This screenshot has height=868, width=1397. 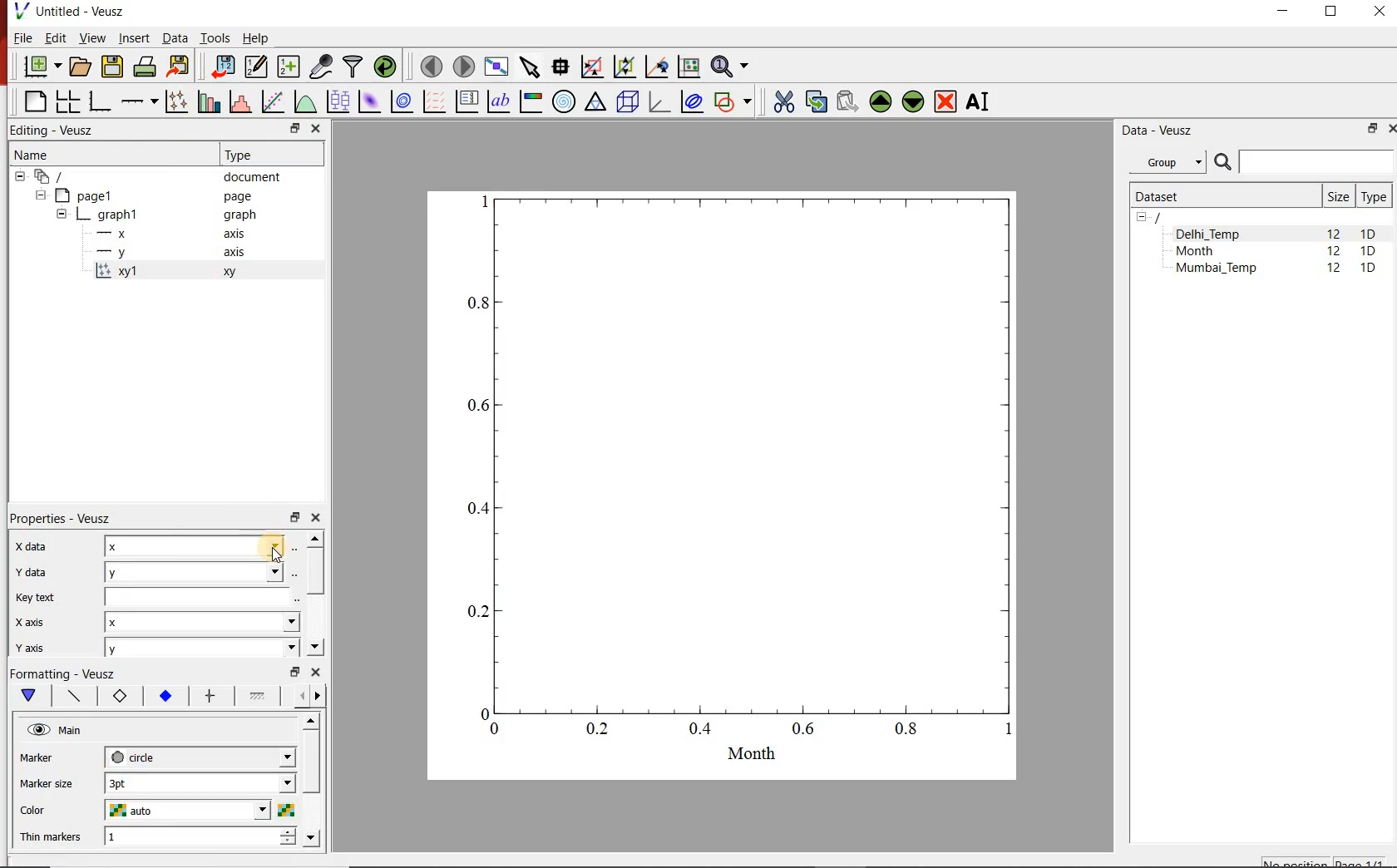 What do you see at coordinates (313, 782) in the screenshot?
I see `scrollbar` at bounding box center [313, 782].